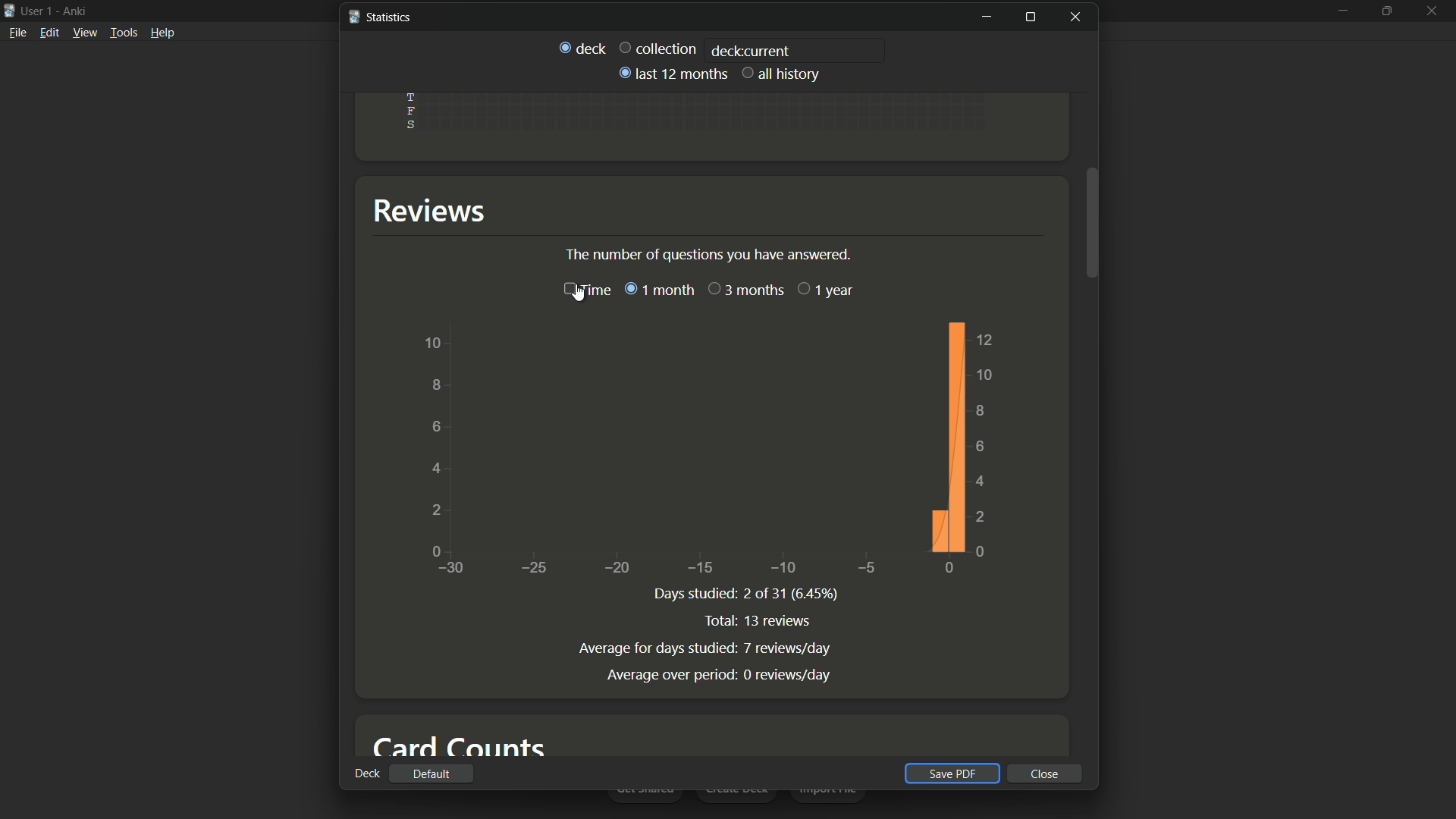  Describe the element at coordinates (49, 33) in the screenshot. I see `edit menu` at that location.